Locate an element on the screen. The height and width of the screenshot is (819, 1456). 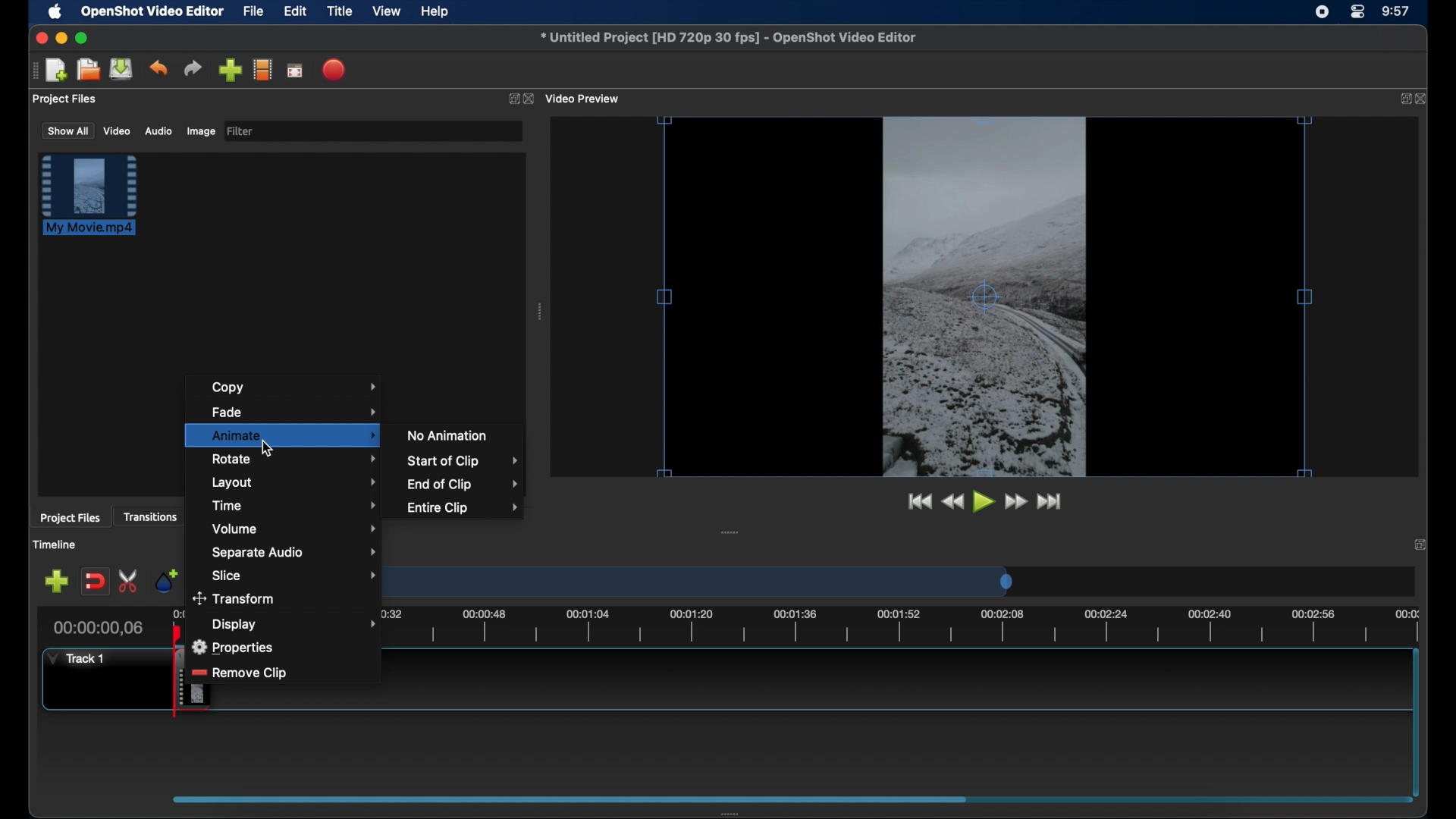
playhead is located at coordinates (177, 634).